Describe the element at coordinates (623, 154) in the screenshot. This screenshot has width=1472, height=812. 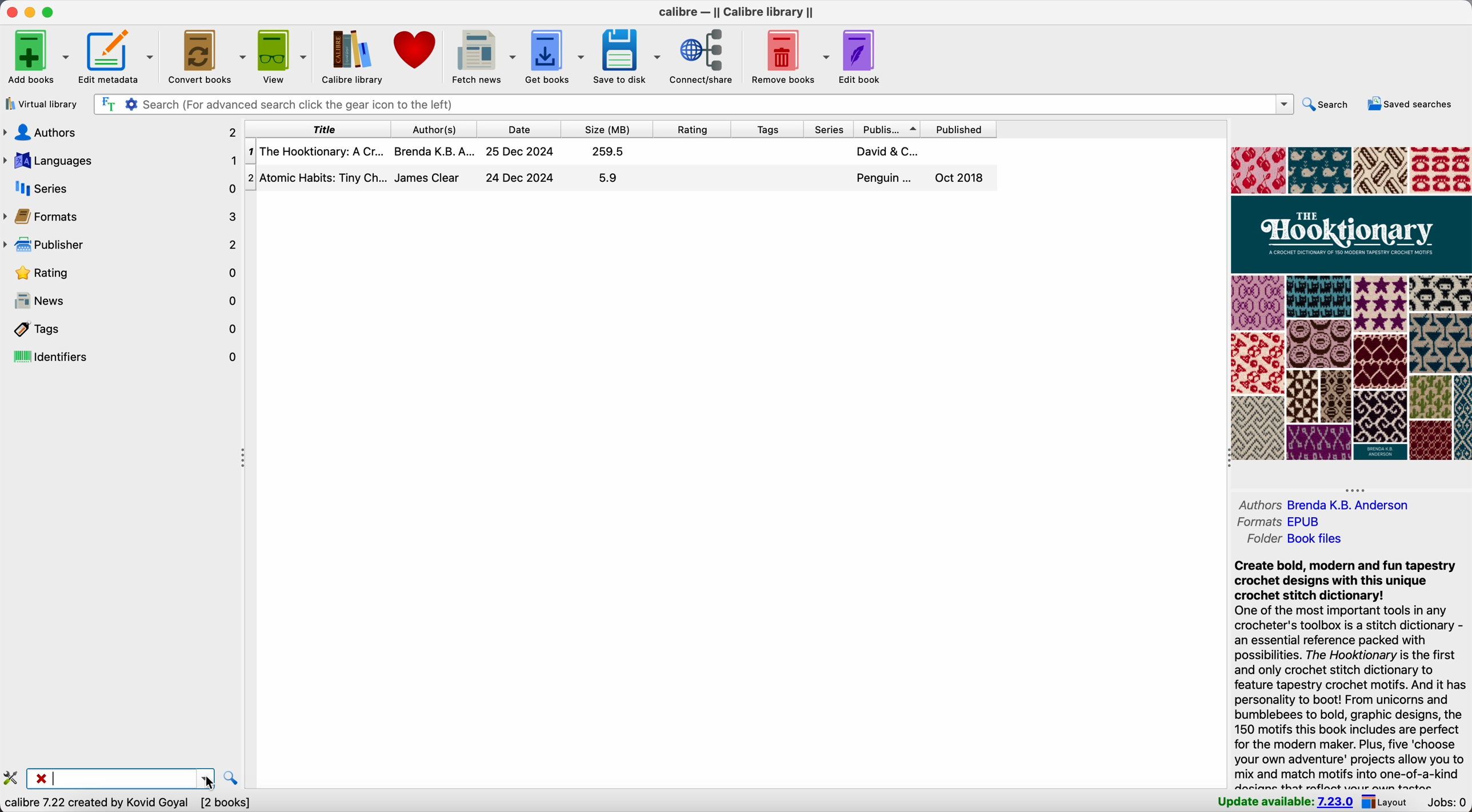
I see `first book` at that location.